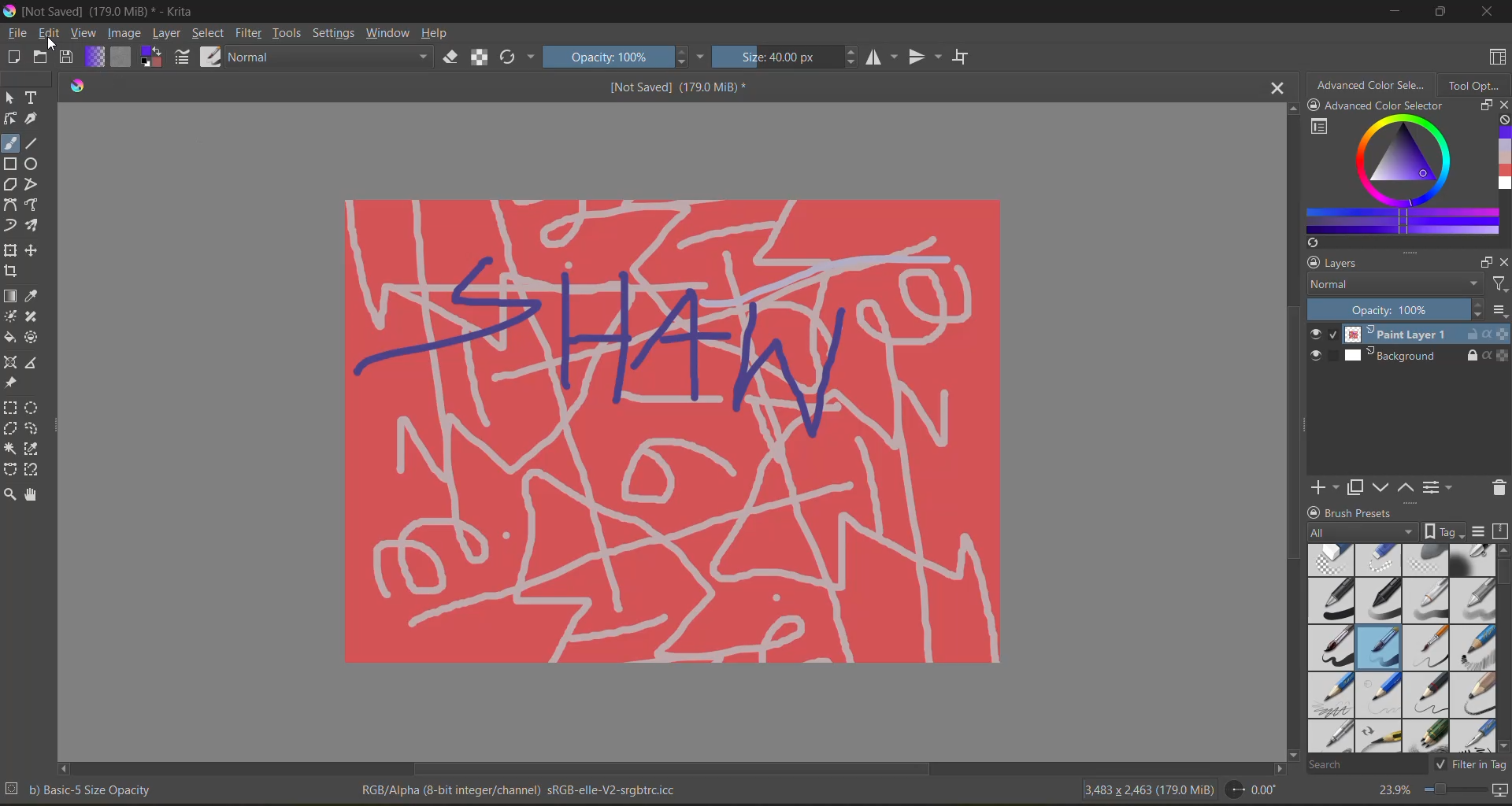  Describe the element at coordinates (17, 33) in the screenshot. I see `file` at that location.